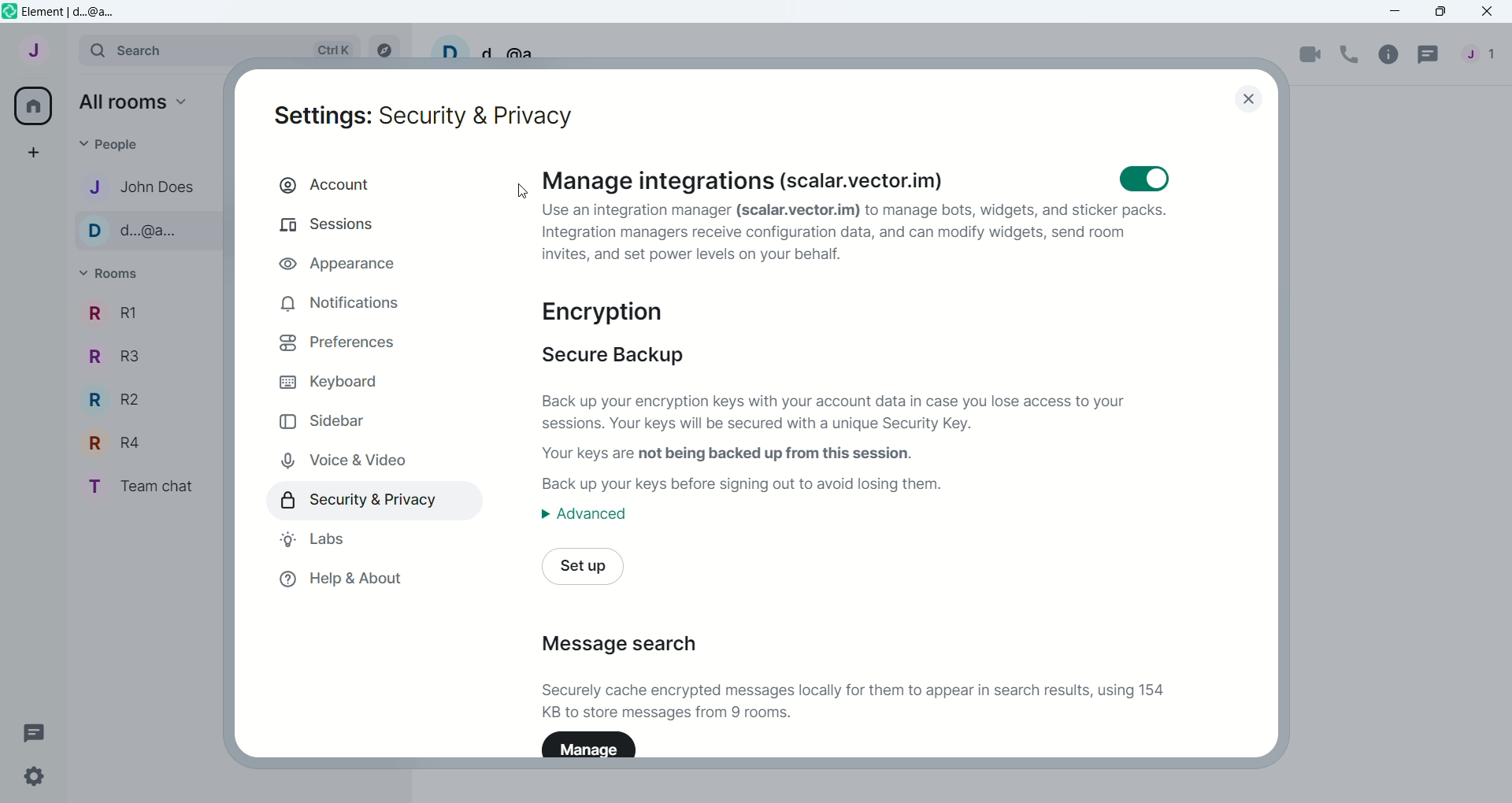 The height and width of the screenshot is (803, 1512). I want to click on Manage, so click(587, 750).